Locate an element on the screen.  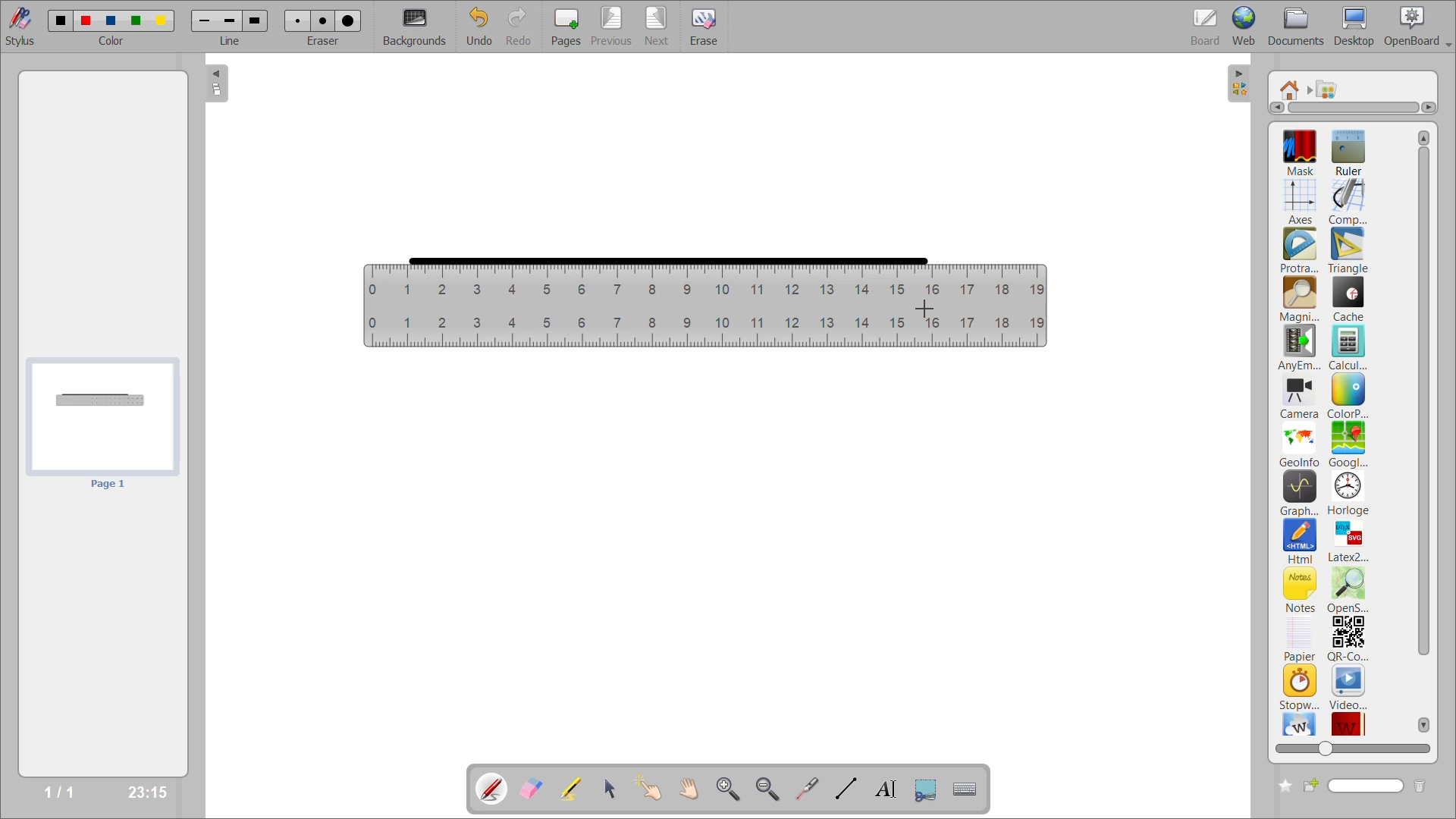
interact with items is located at coordinates (653, 789).